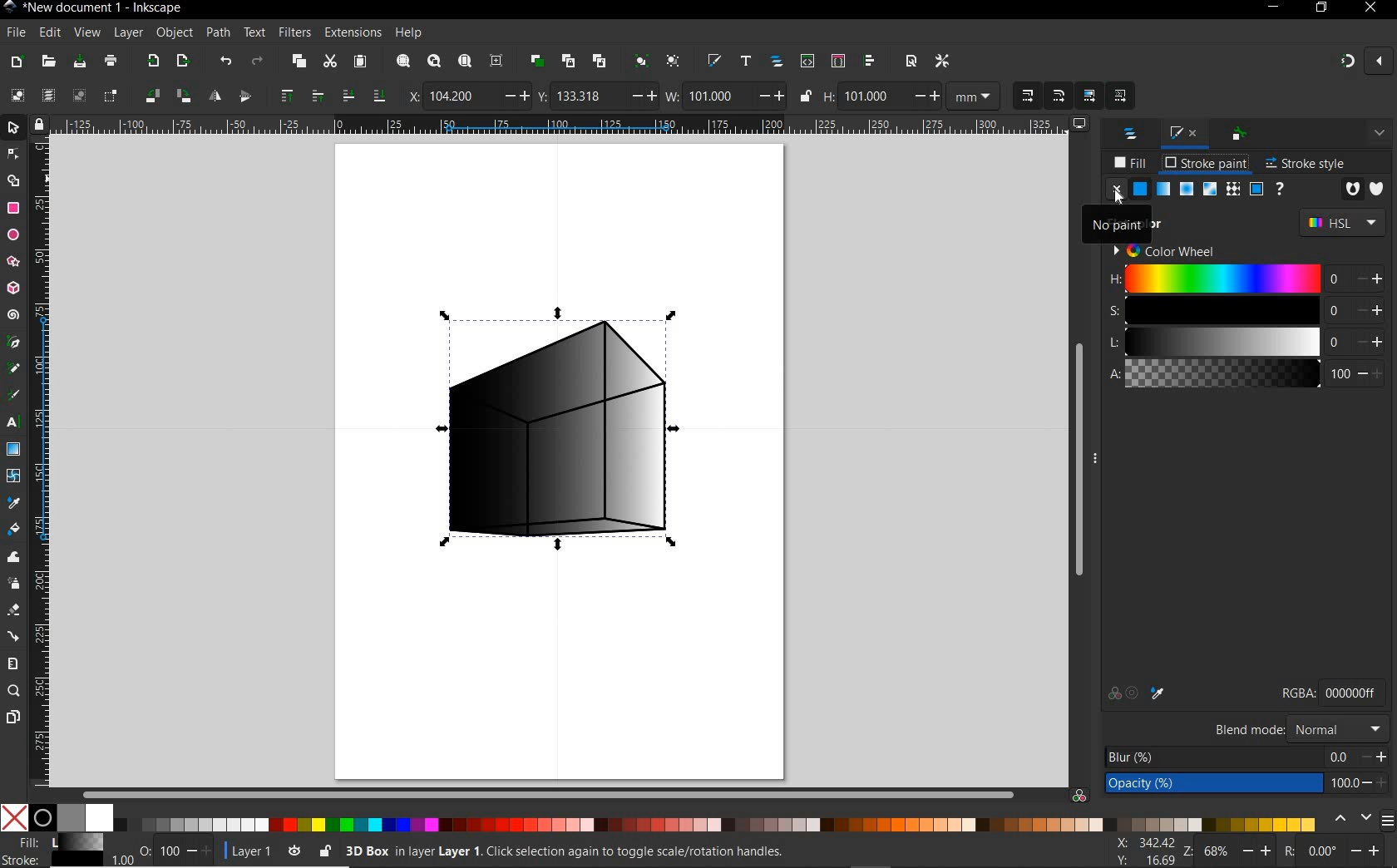  What do you see at coordinates (12, 235) in the screenshot?
I see `ELLIPSE` at bounding box center [12, 235].